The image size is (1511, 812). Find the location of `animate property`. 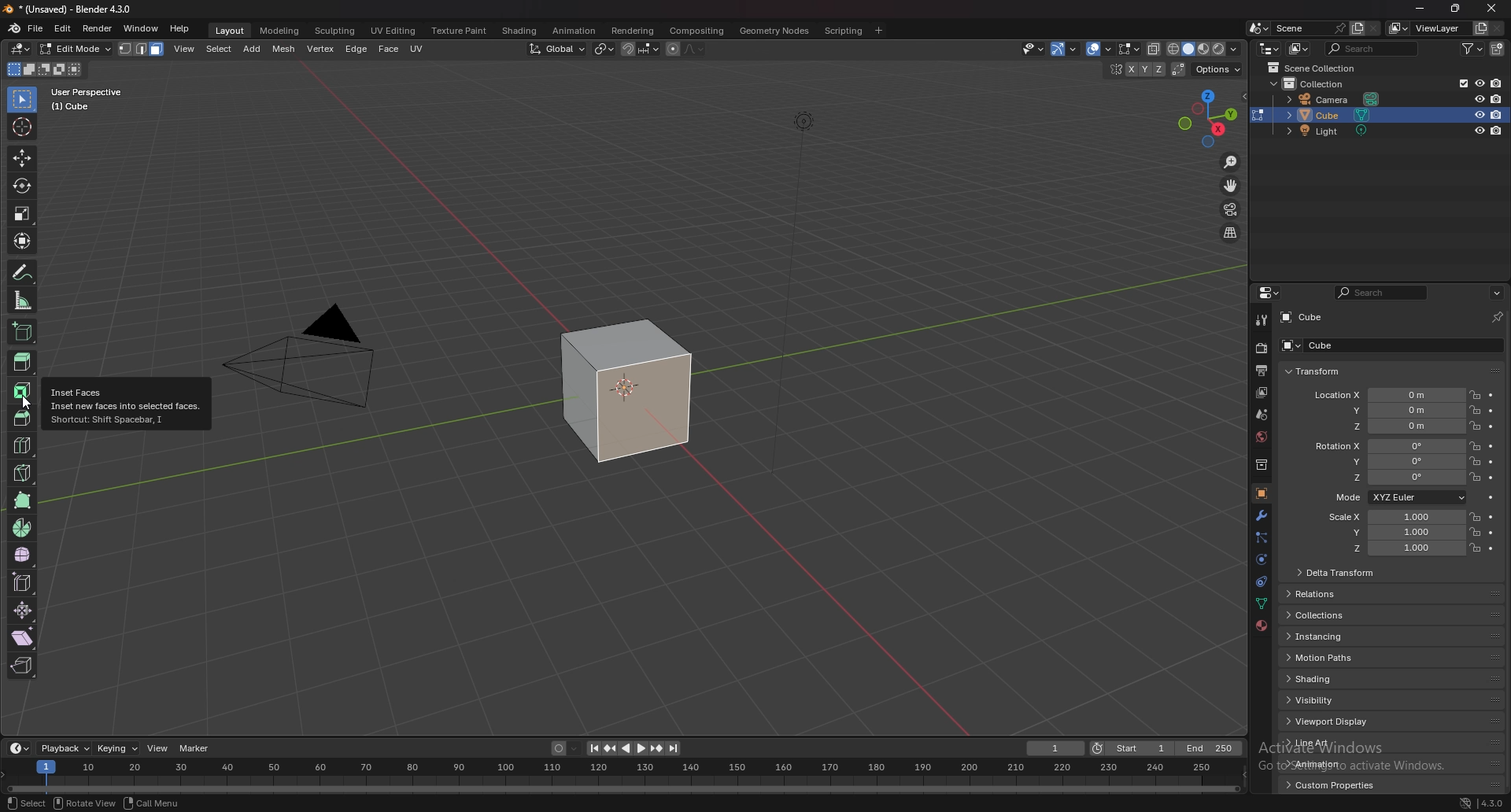

animate property is located at coordinates (1492, 498).